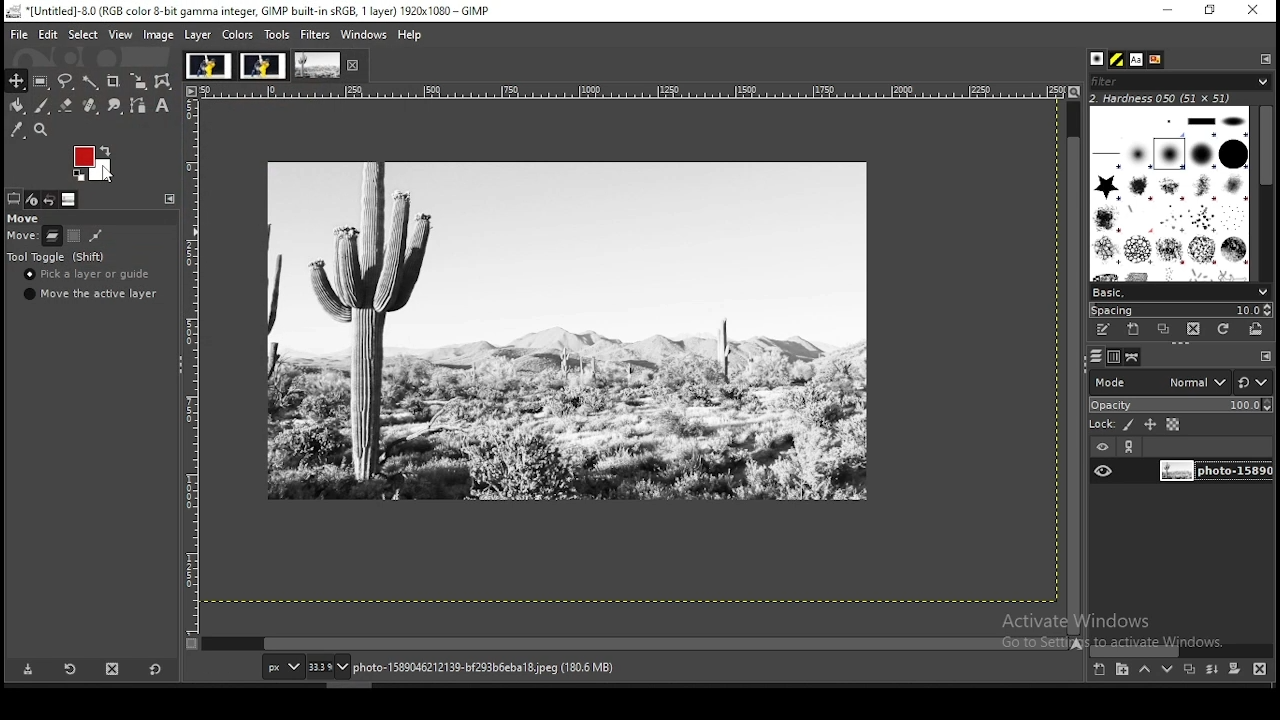 The width and height of the screenshot is (1280, 720). Describe the element at coordinates (22, 218) in the screenshot. I see `move` at that location.